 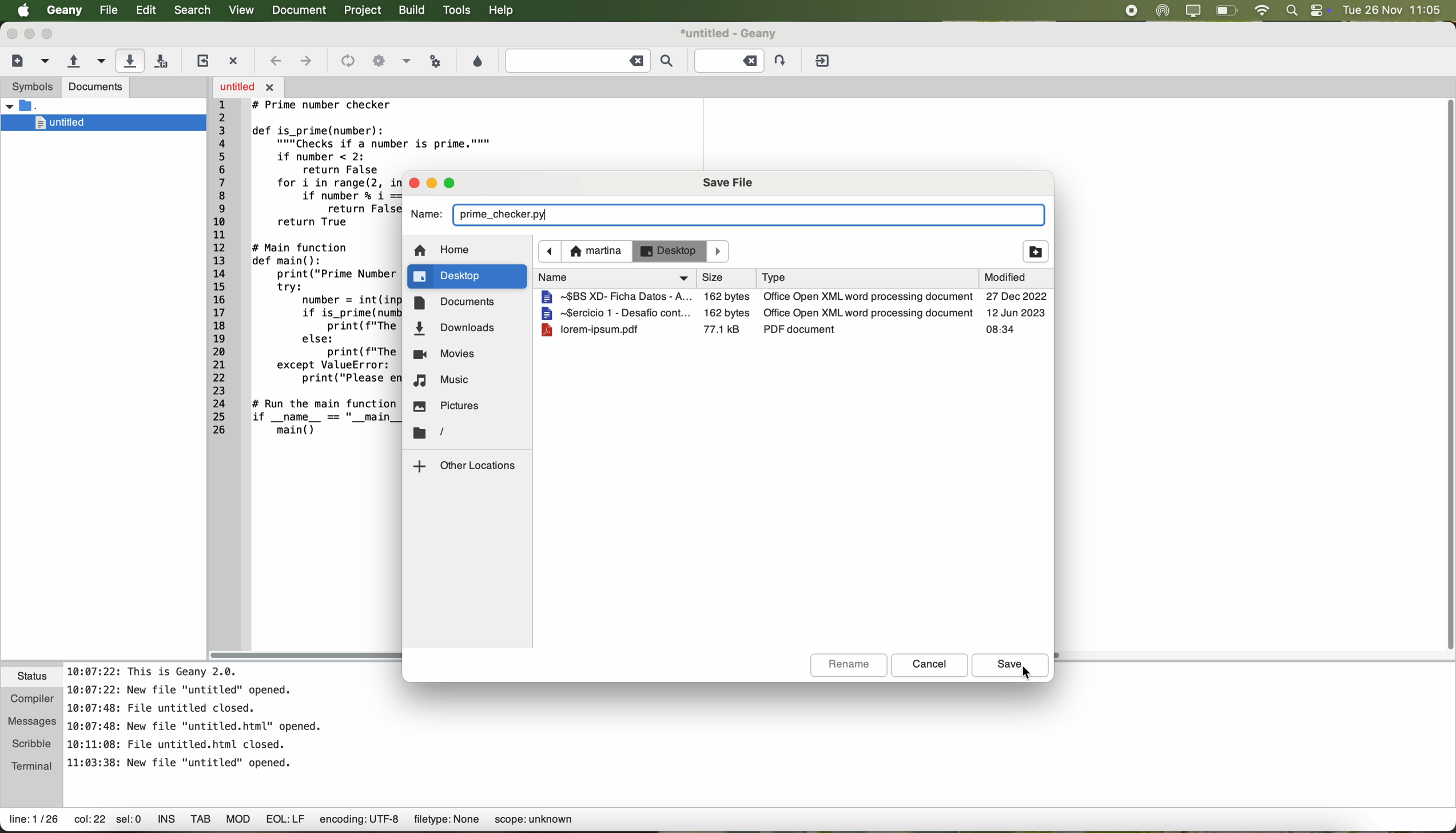 What do you see at coordinates (447, 355) in the screenshot?
I see `movies` at bounding box center [447, 355].